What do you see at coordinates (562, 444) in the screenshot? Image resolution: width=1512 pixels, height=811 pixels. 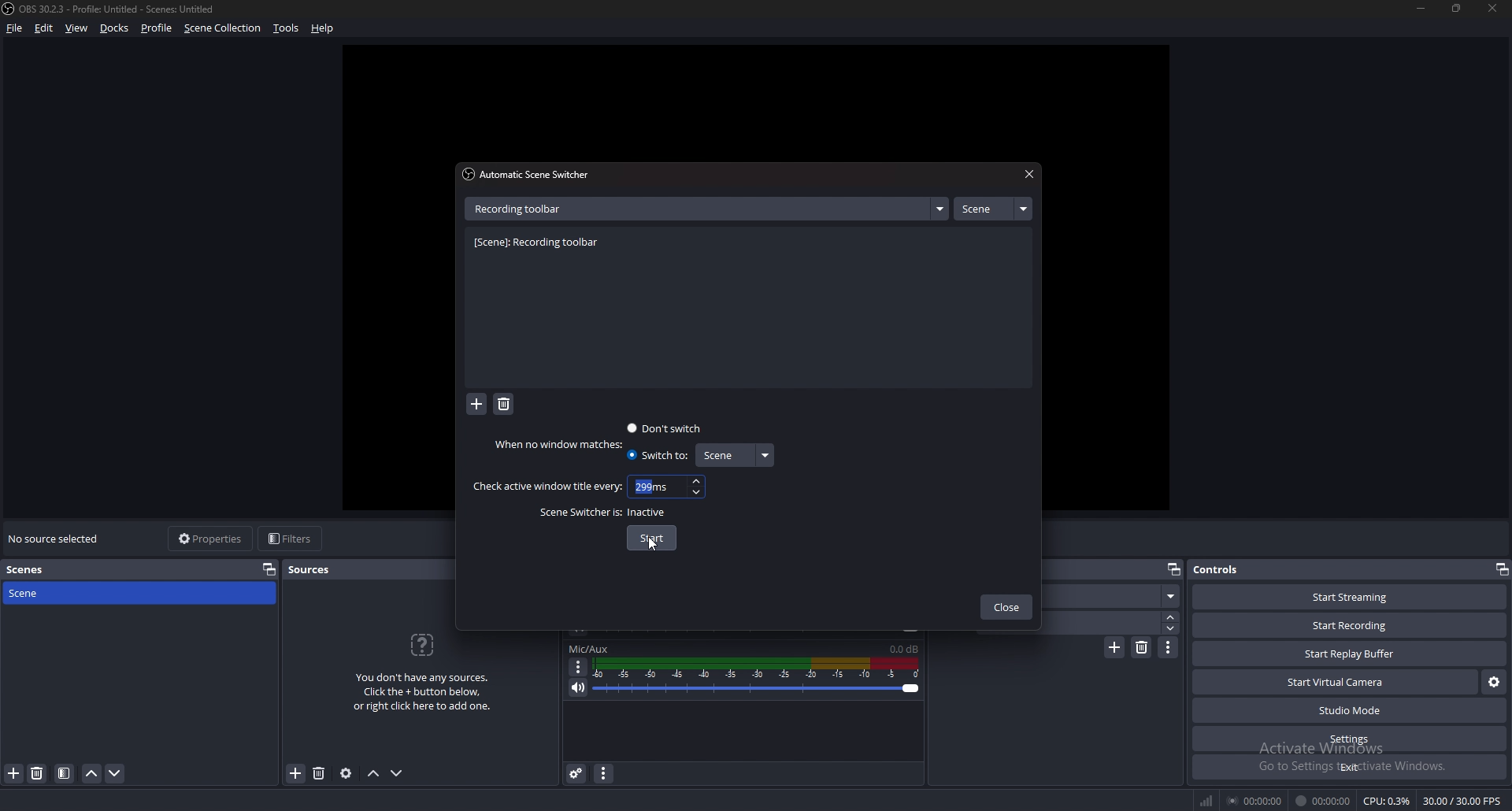 I see `when no window matches` at bounding box center [562, 444].